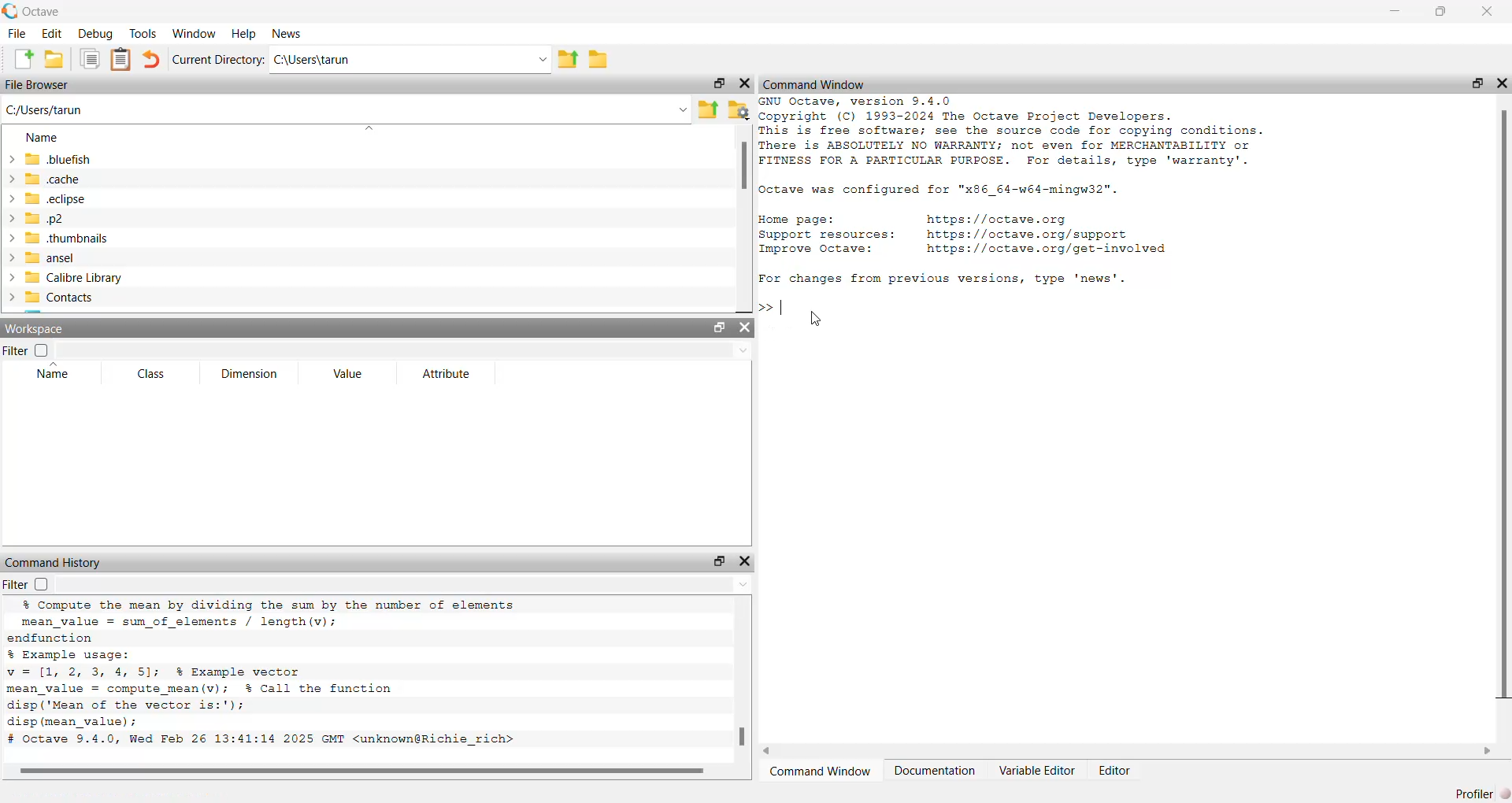  I want to click on C:/Users/tarun, so click(46, 110).